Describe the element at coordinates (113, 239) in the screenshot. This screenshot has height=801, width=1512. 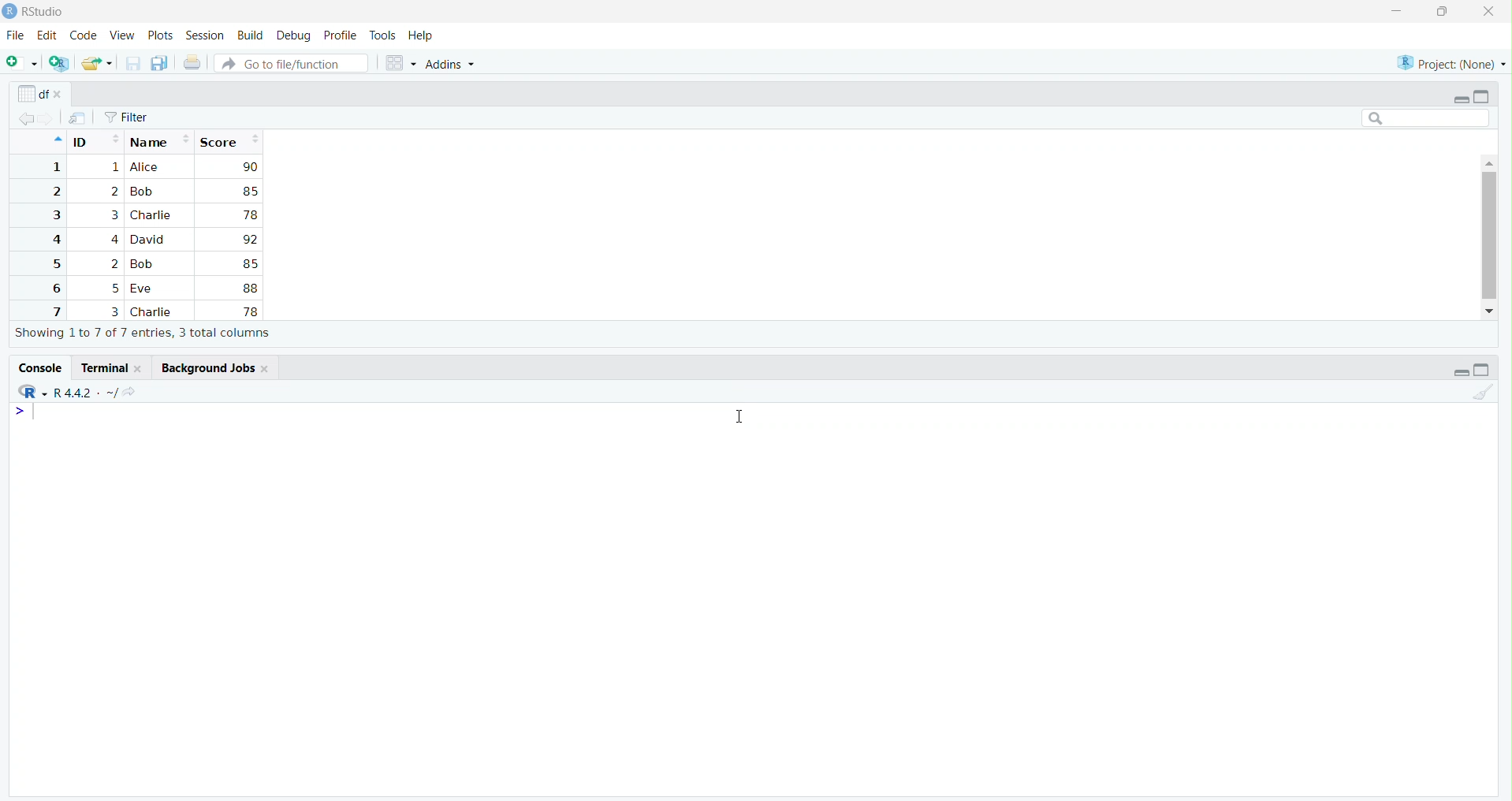
I see `4` at that location.